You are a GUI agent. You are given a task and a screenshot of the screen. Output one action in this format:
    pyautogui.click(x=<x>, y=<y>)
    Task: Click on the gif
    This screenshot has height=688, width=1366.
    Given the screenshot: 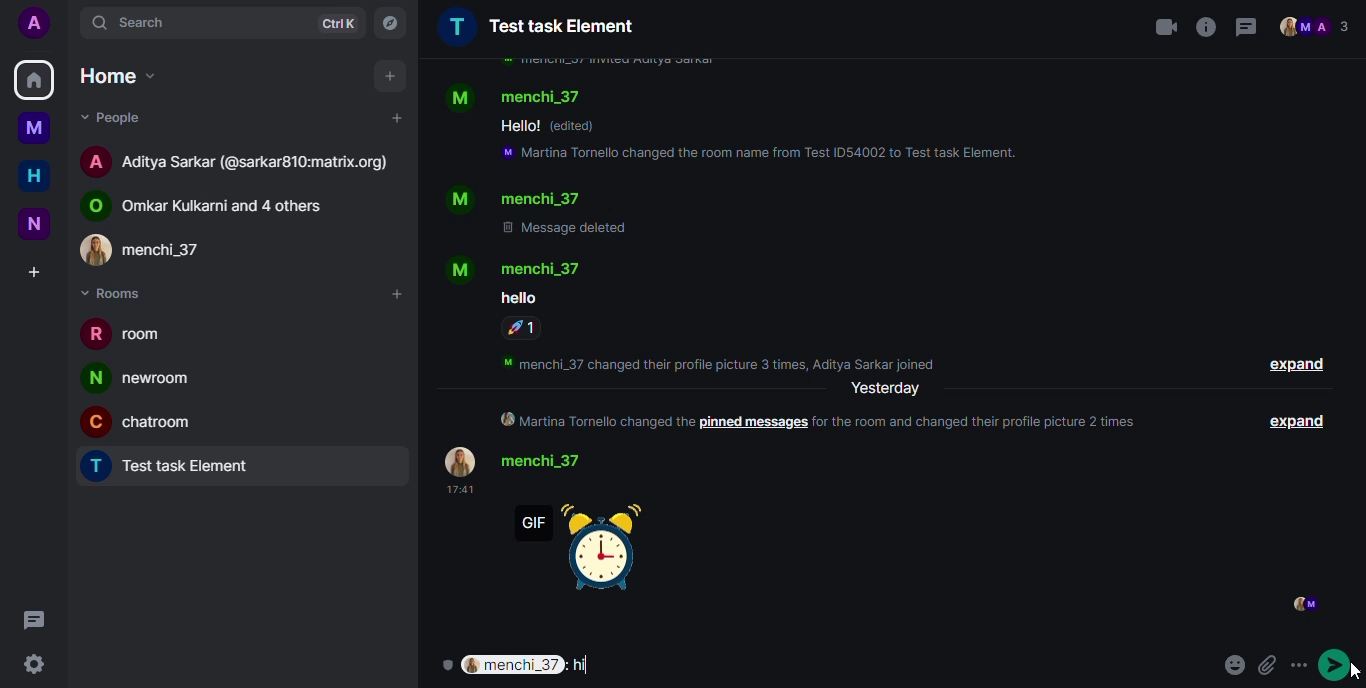 What is the action you would take?
    pyautogui.click(x=587, y=545)
    